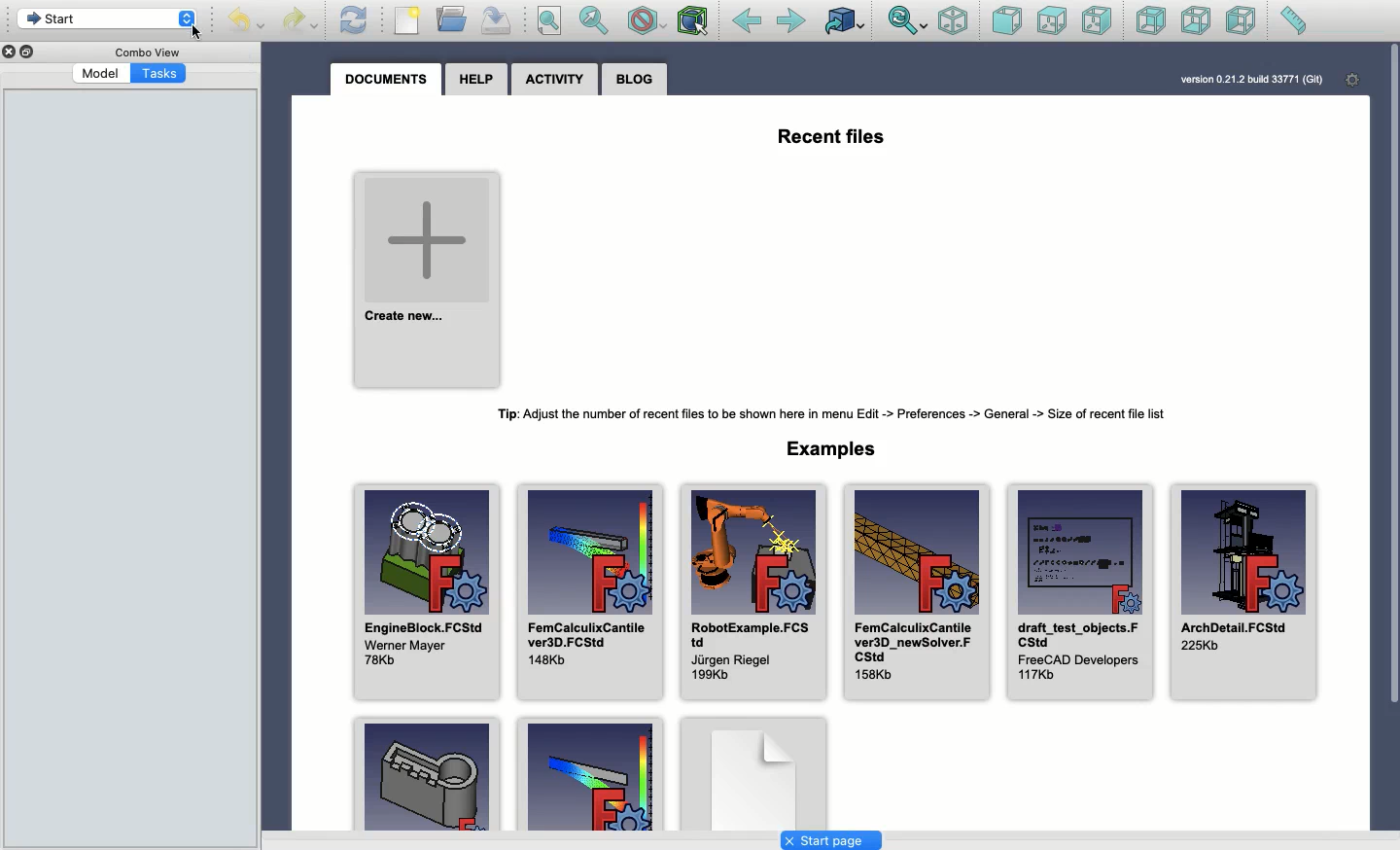 The height and width of the screenshot is (850, 1400). I want to click on Back, so click(1152, 20).